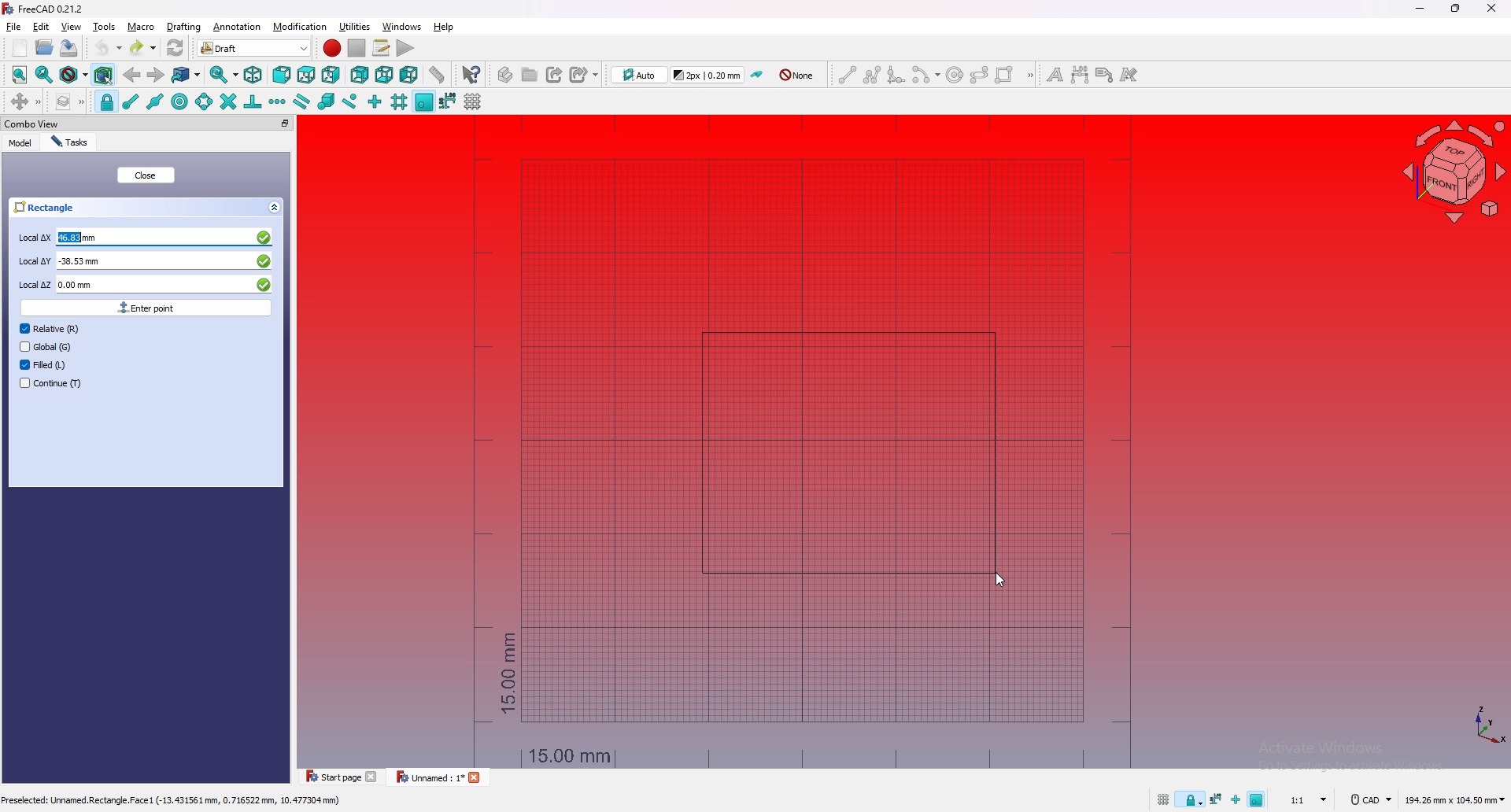  I want to click on annotation style, so click(1130, 75).